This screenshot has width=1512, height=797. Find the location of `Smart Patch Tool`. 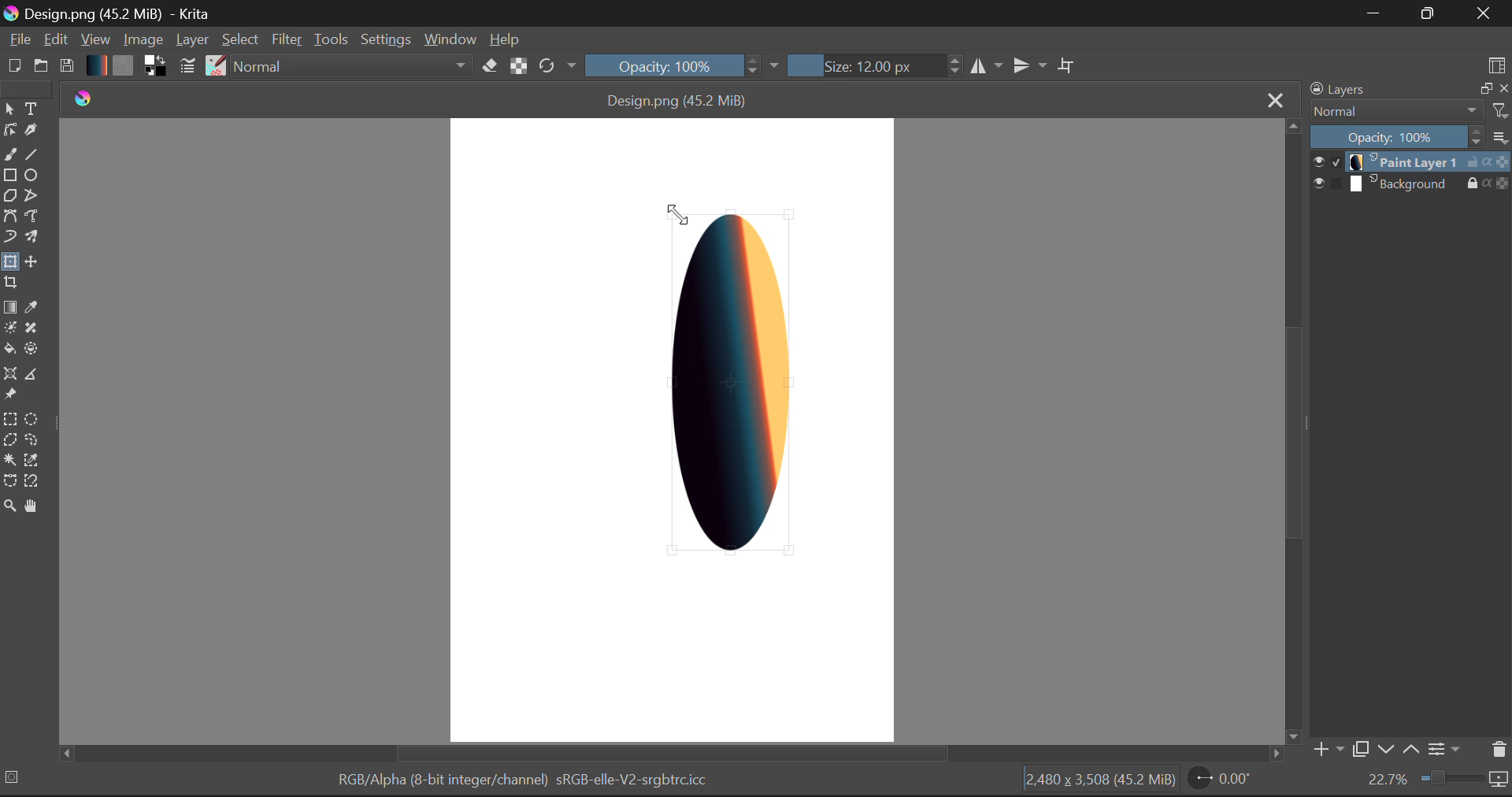

Smart Patch Tool is located at coordinates (32, 328).